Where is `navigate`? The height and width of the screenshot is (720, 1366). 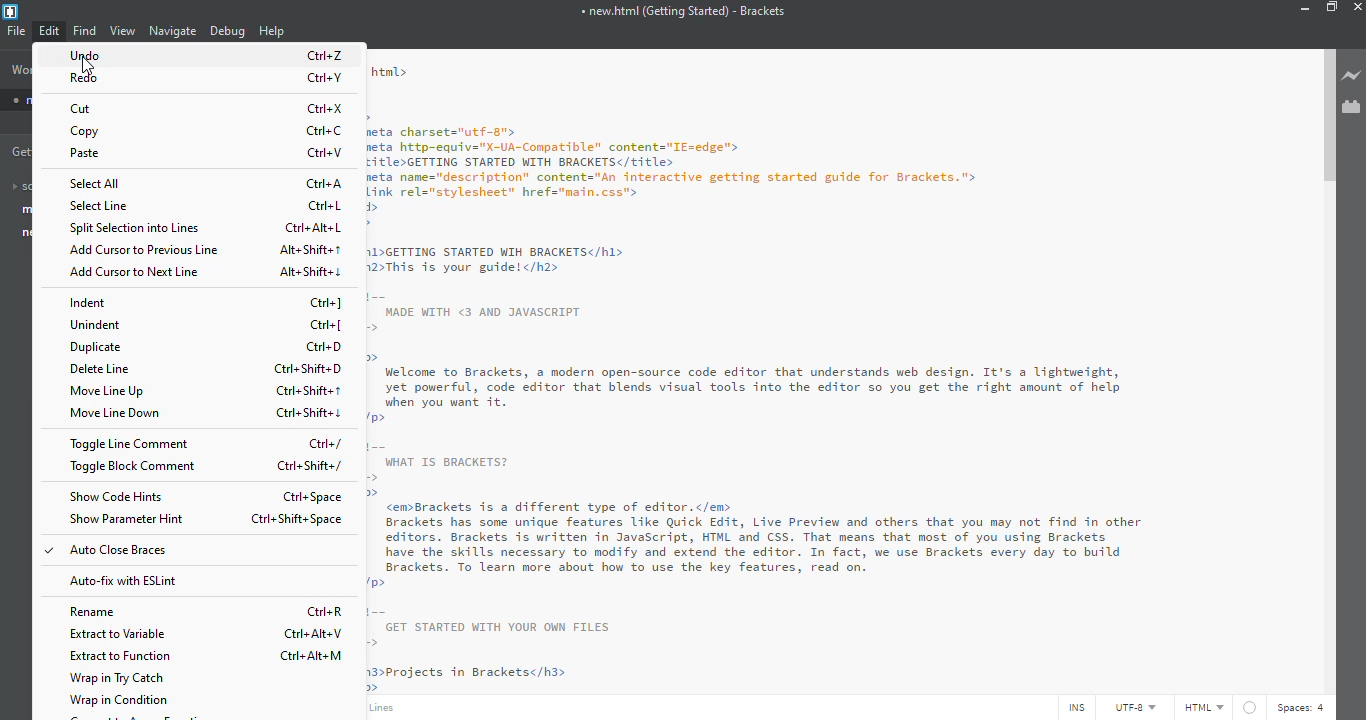
navigate is located at coordinates (174, 30).